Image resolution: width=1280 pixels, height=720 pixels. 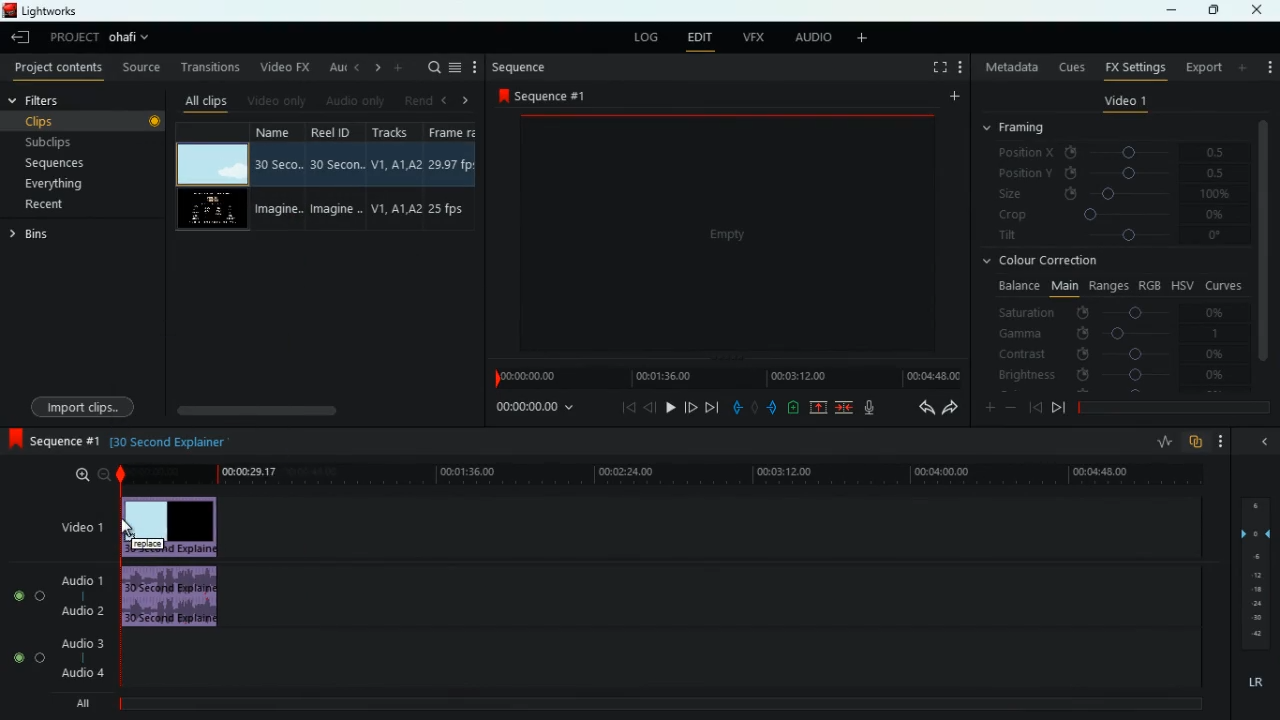 What do you see at coordinates (454, 163) in the screenshot?
I see `29.97 fbs` at bounding box center [454, 163].